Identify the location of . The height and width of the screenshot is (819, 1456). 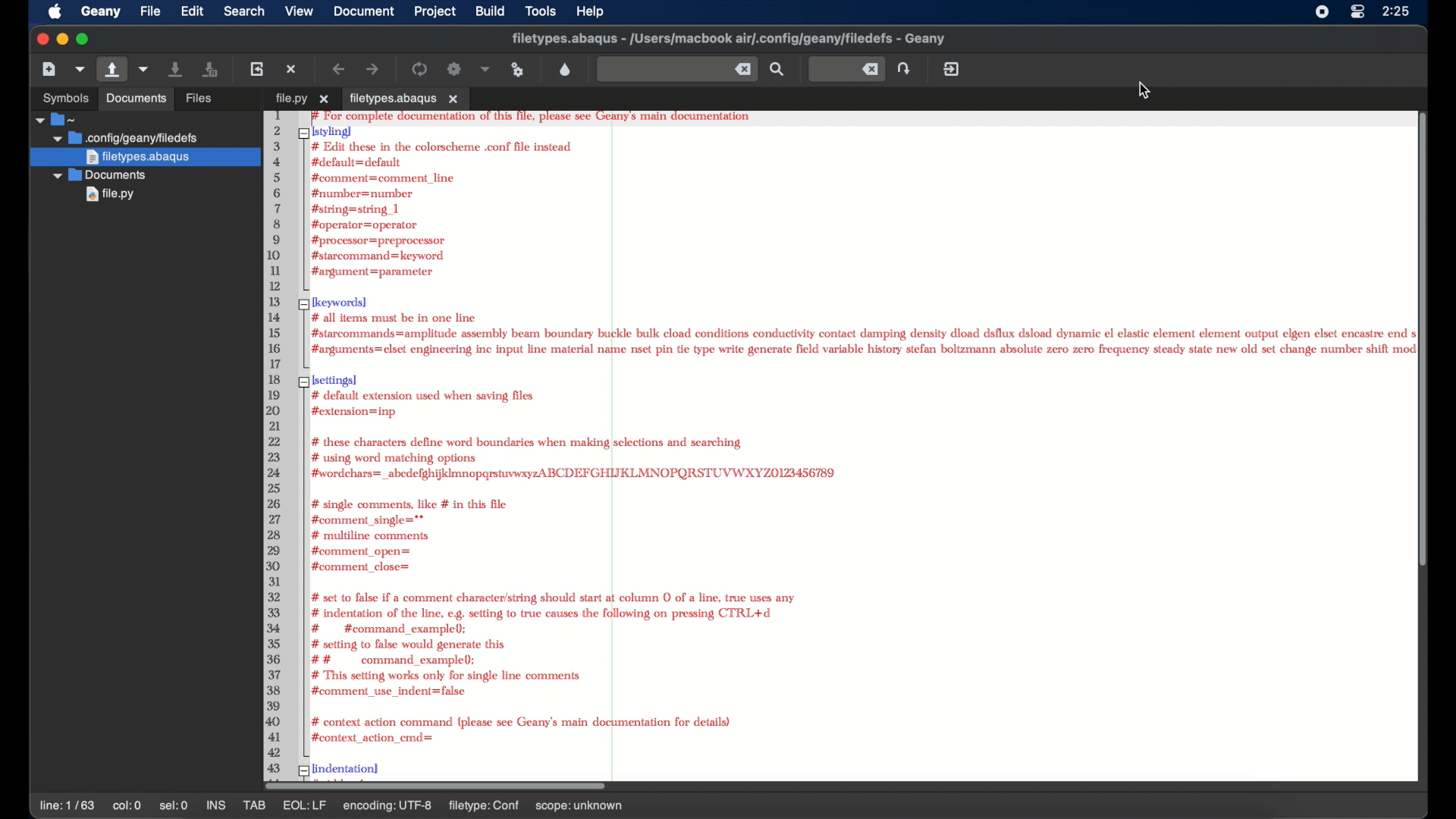
(139, 99).